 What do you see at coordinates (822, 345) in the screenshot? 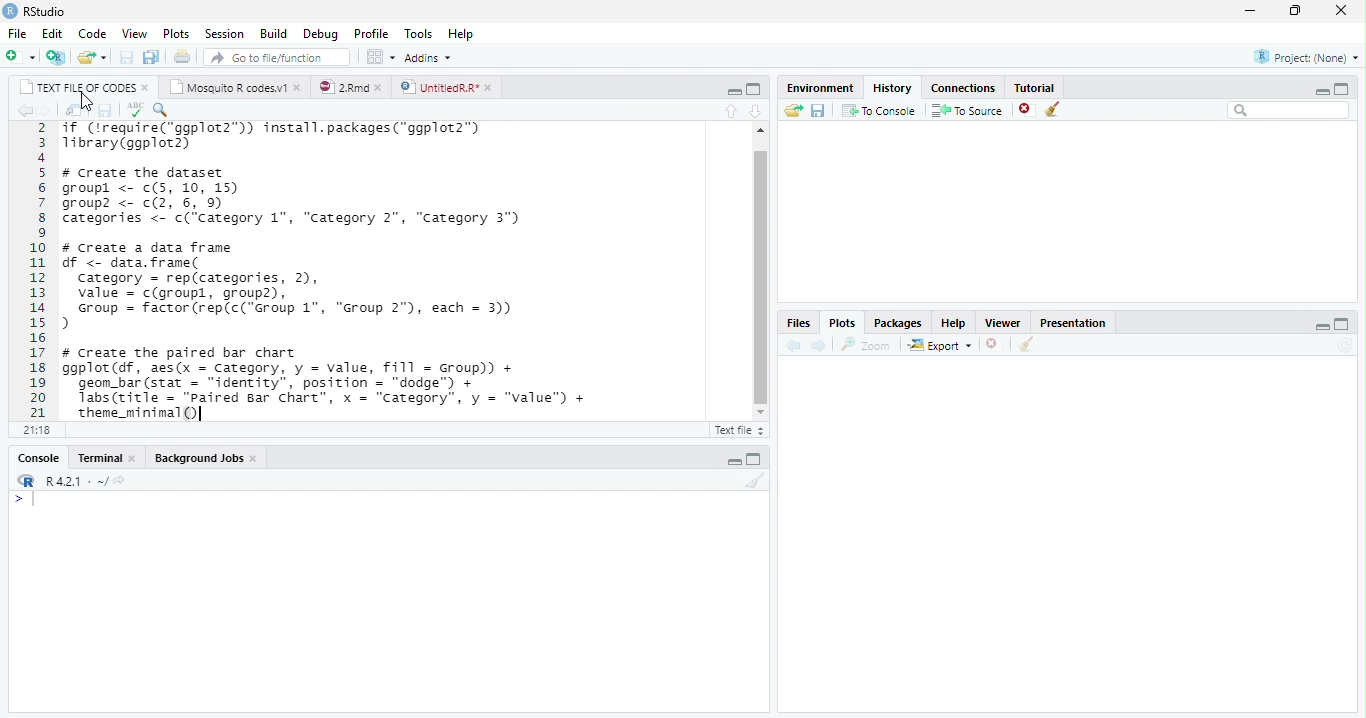
I see `next plot` at bounding box center [822, 345].